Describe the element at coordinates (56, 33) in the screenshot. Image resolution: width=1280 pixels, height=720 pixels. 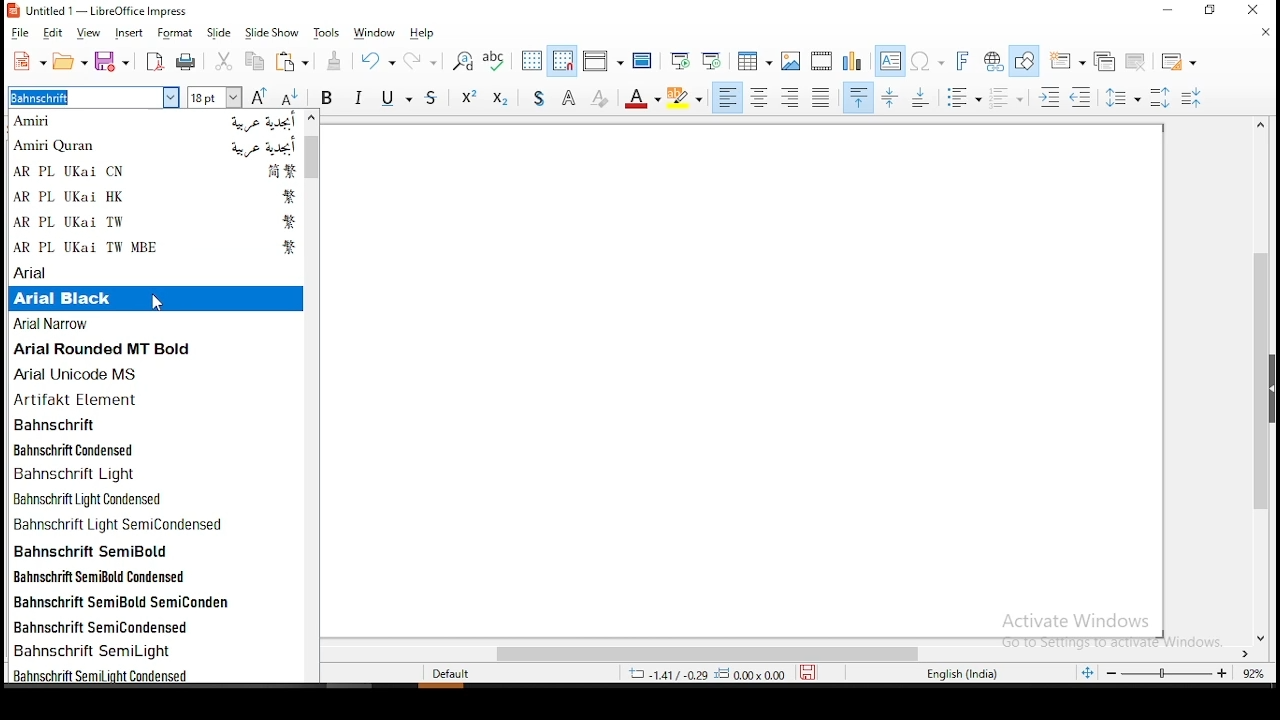
I see `edit` at that location.